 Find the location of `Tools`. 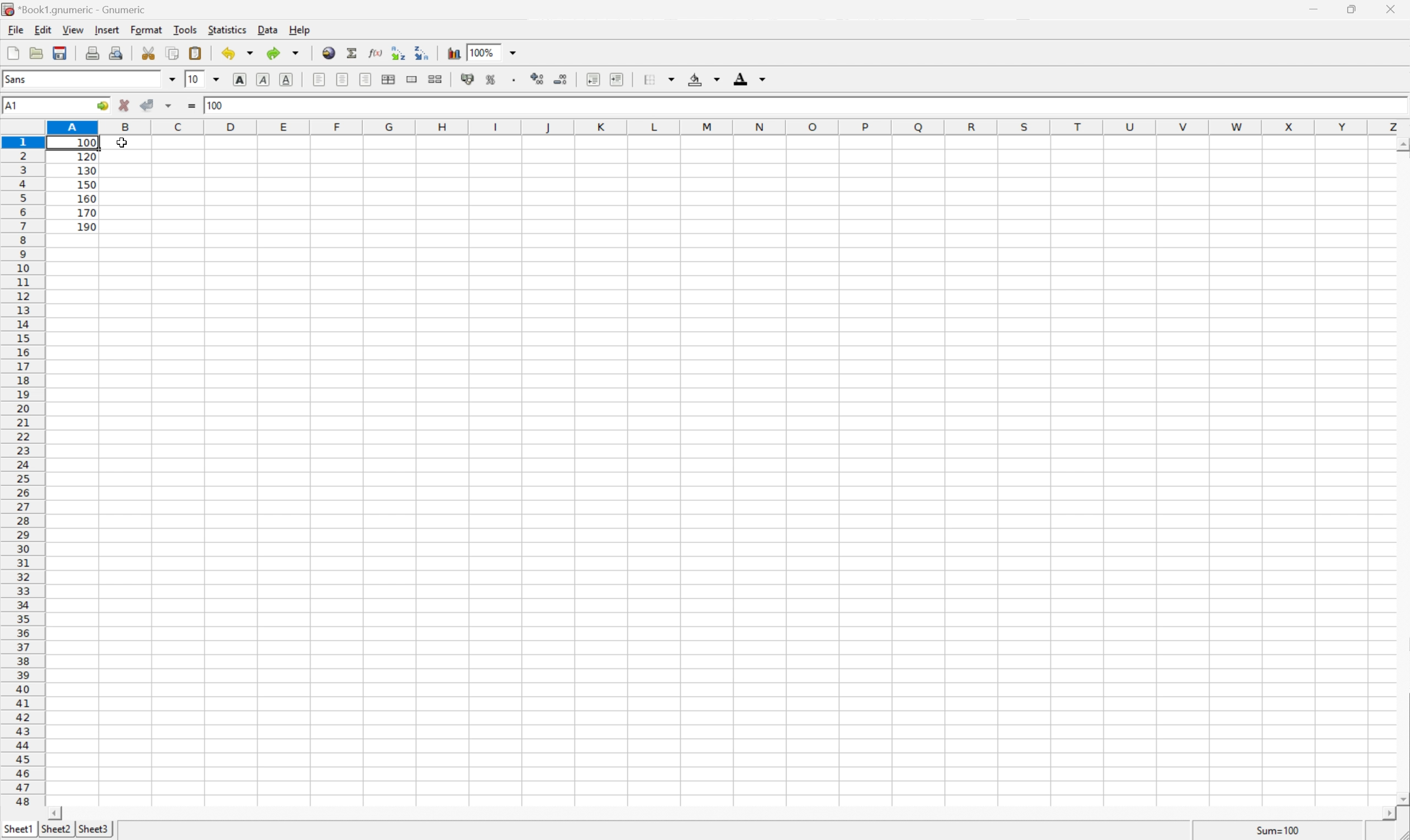

Tools is located at coordinates (188, 30).